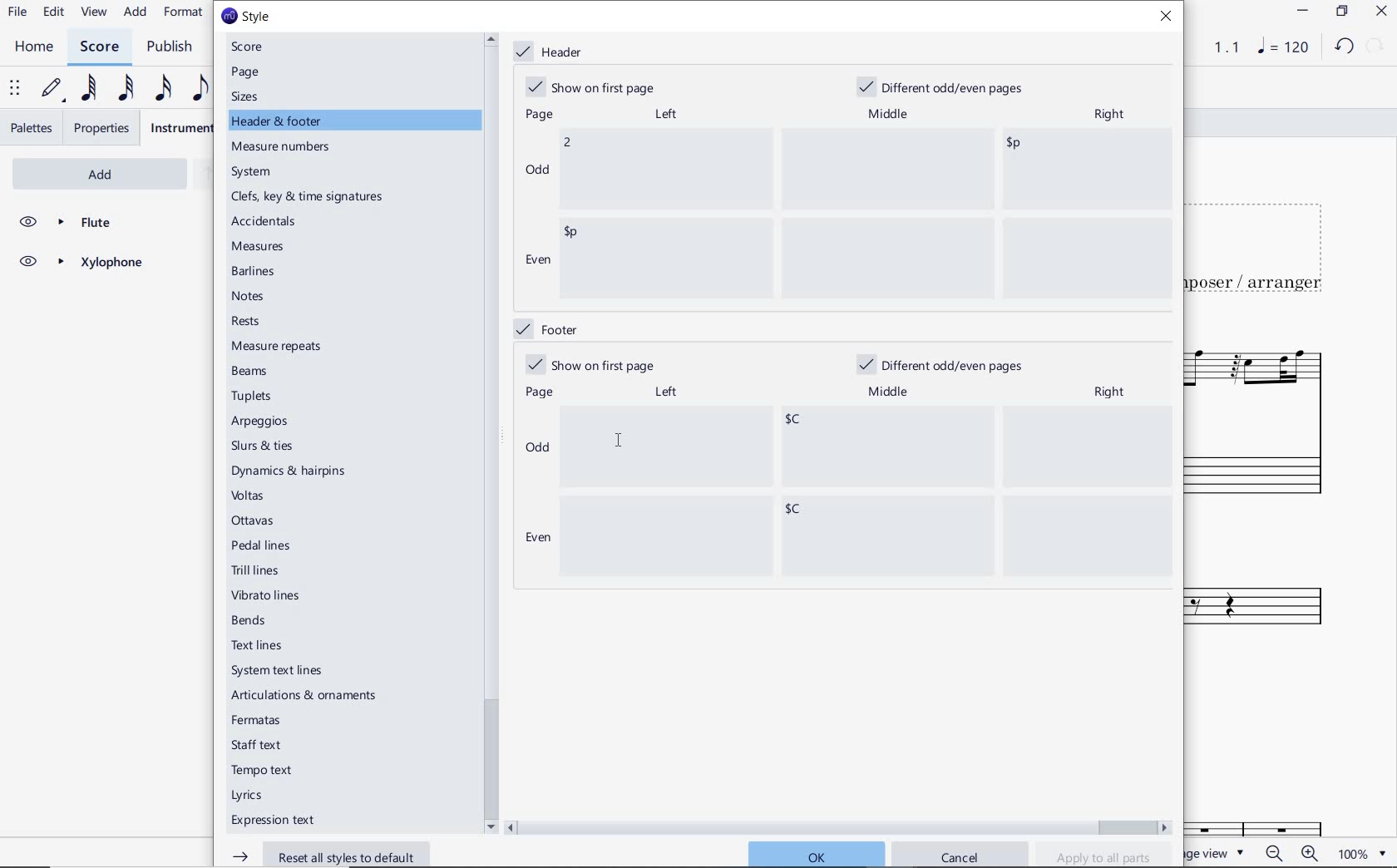 The image size is (1397, 868). Describe the element at coordinates (136, 12) in the screenshot. I see `ADD` at that location.